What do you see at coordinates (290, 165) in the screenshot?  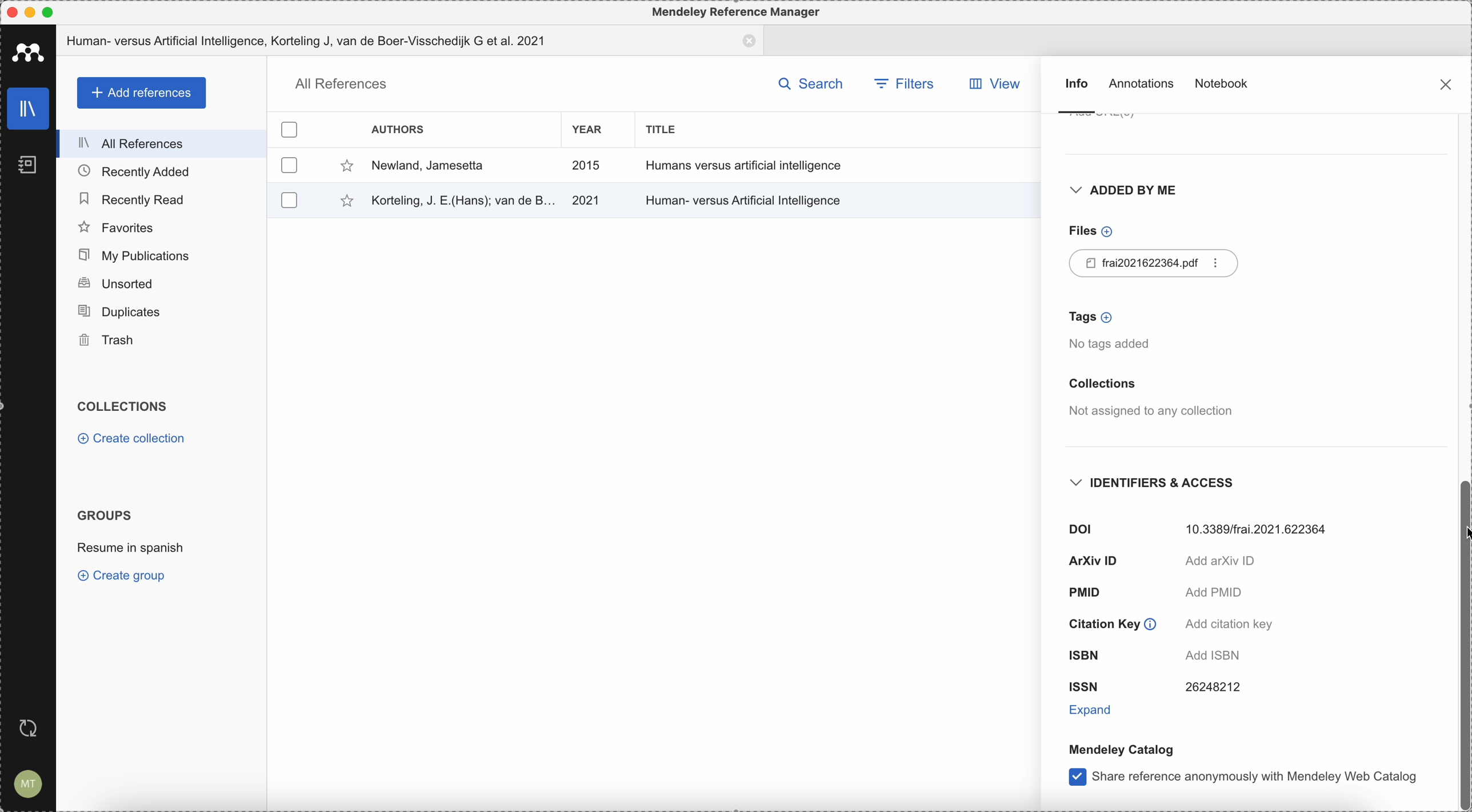 I see `checkbox` at bounding box center [290, 165].